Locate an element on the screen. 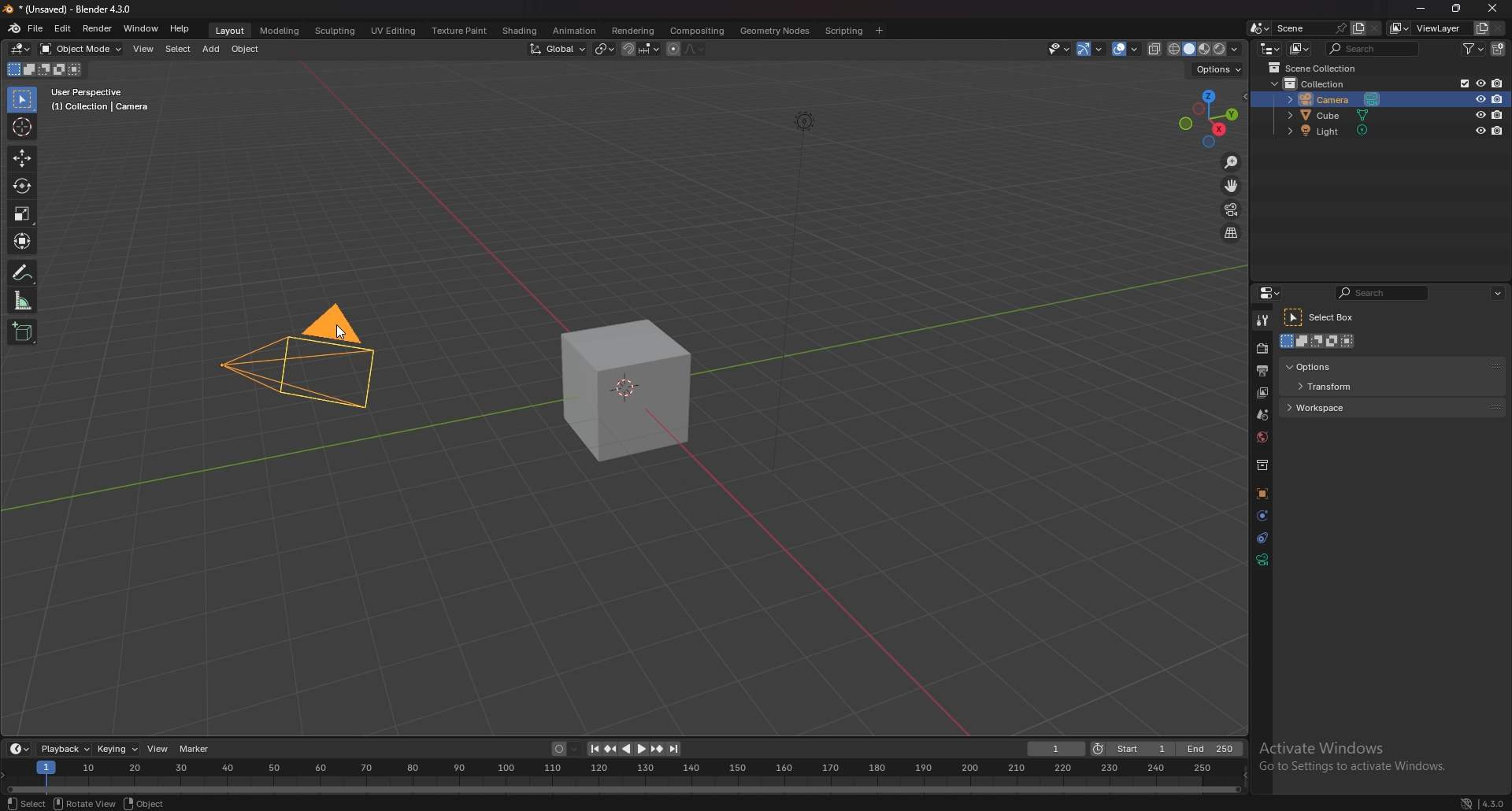 This screenshot has width=1512, height=811. disable in renders is located at coordinates (1496, 99).